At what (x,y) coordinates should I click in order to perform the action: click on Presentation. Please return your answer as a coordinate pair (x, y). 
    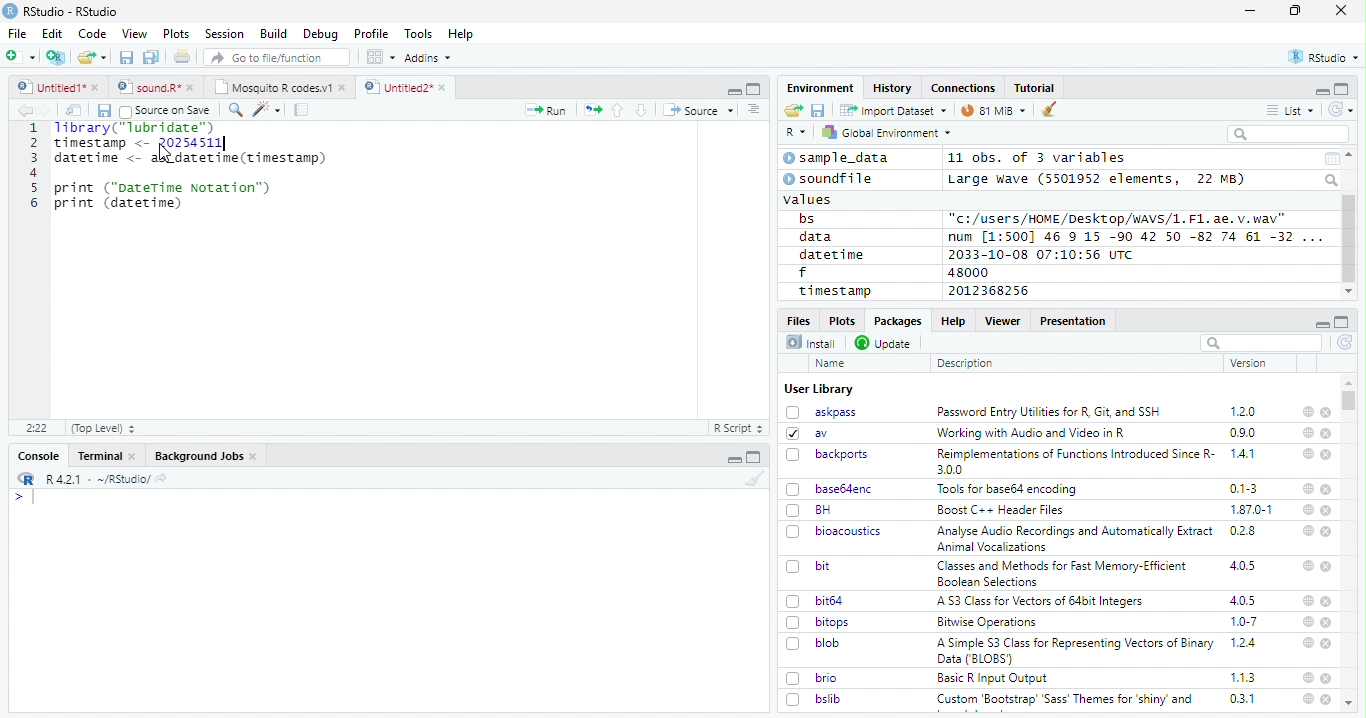
    Looking at the image, I should click on (1074, 321).